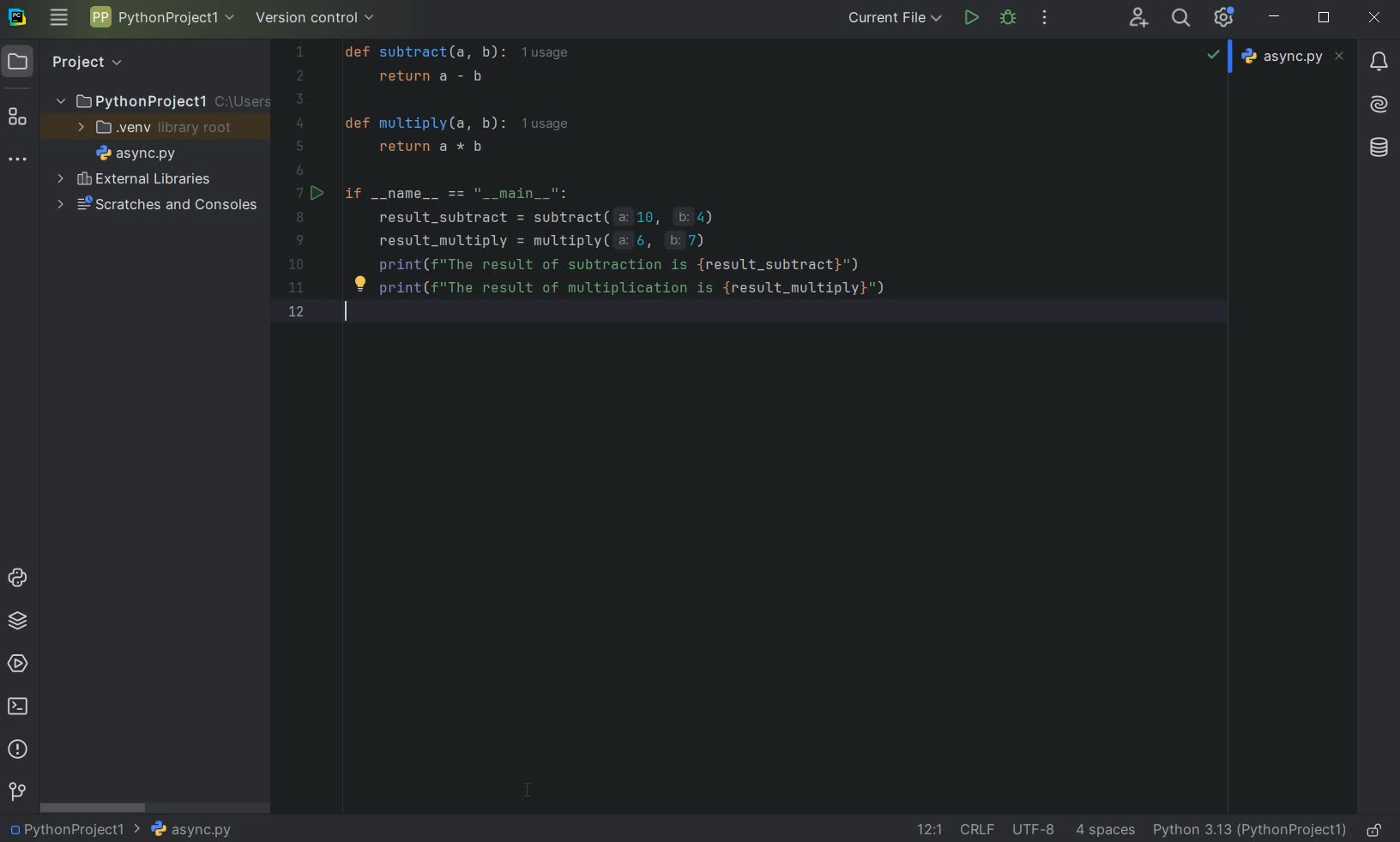 This screenshot has width=1400, height=842. What do you see at coordinates (58, 17) in the screenshot?
I see `main menu` at bounding box center [58, 17].